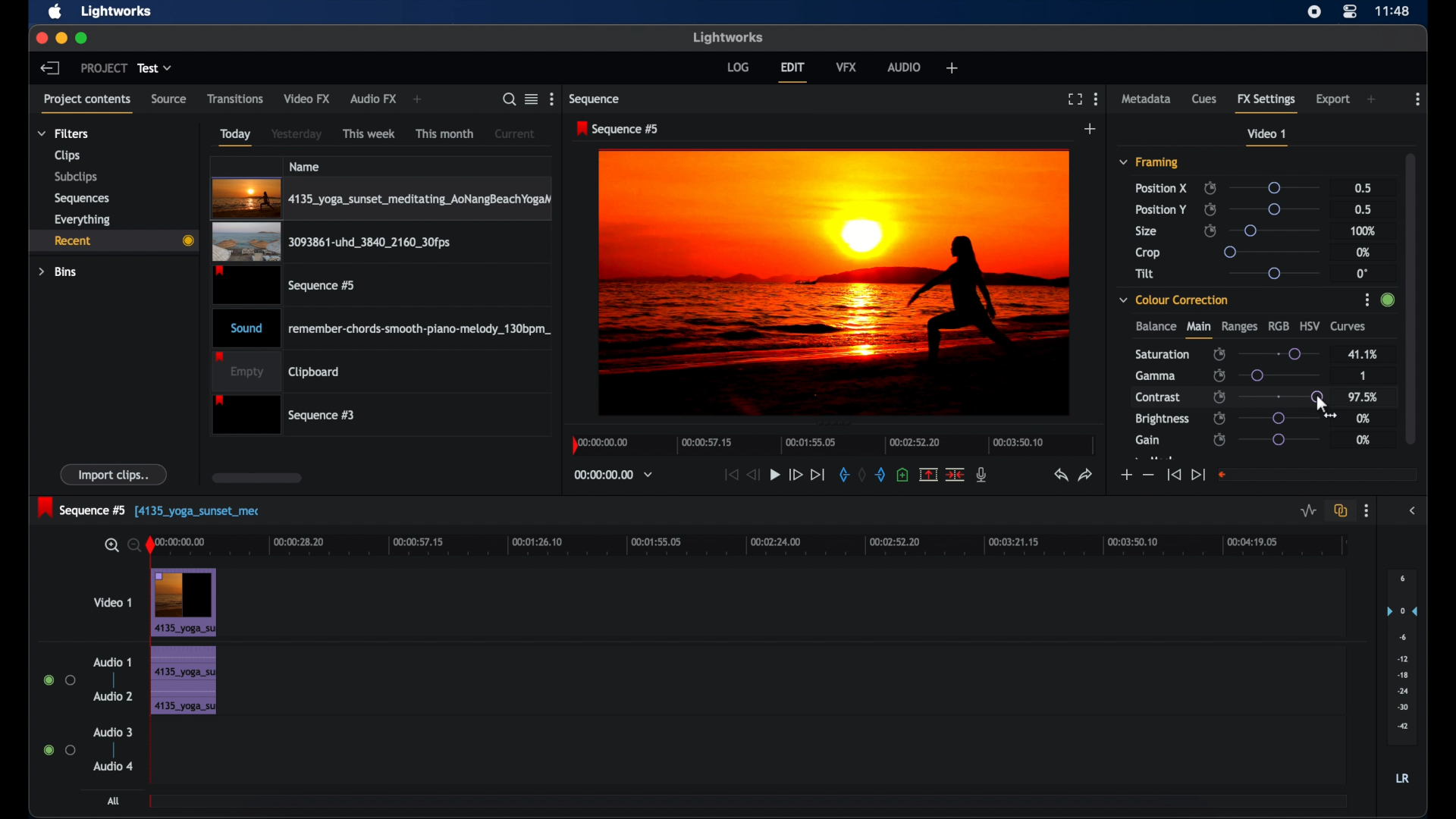 The image size is (1456, 819). I want to click on slider, so click(1278, 209).